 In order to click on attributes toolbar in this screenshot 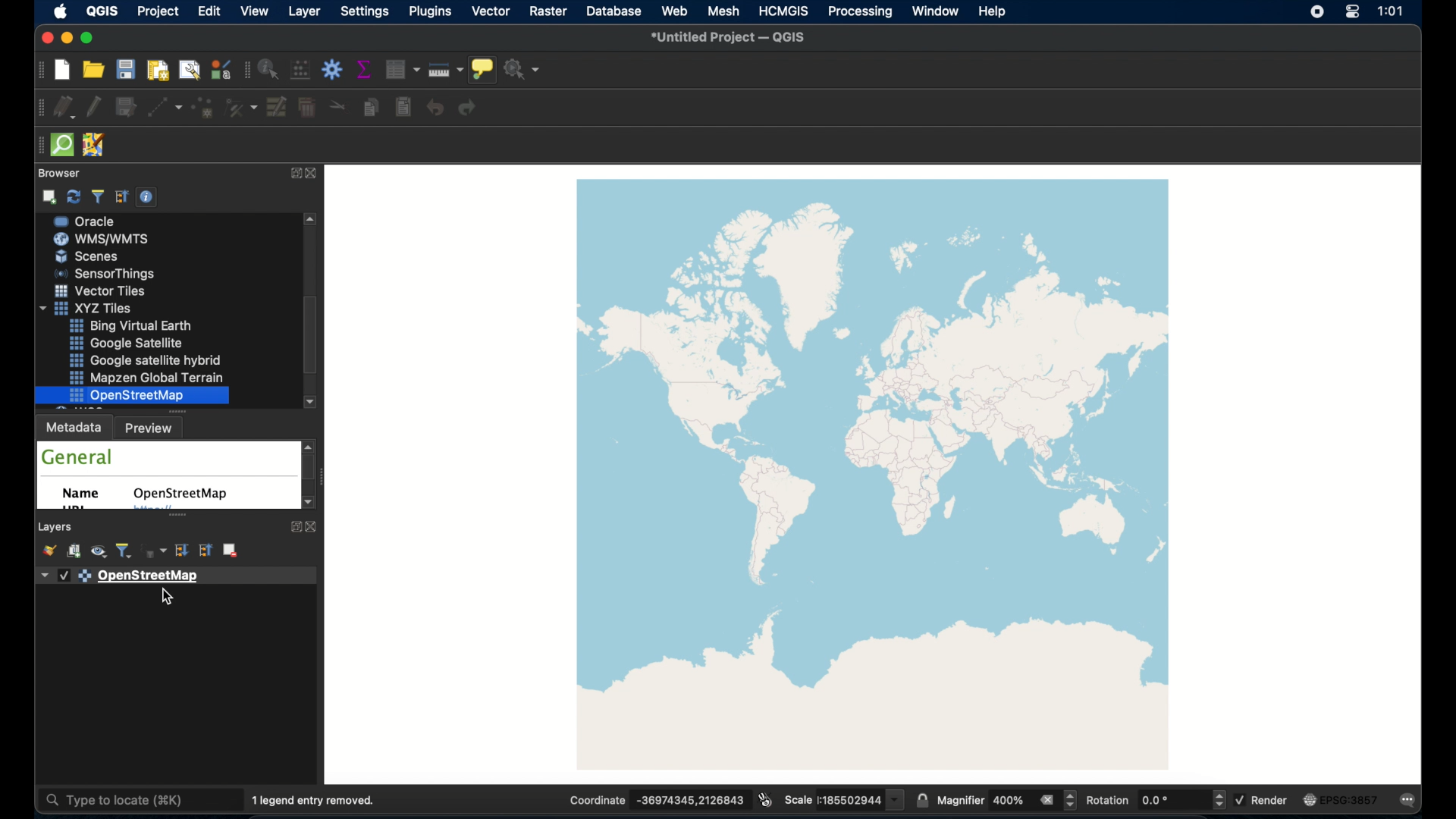, I will do `click(246, 69)`.